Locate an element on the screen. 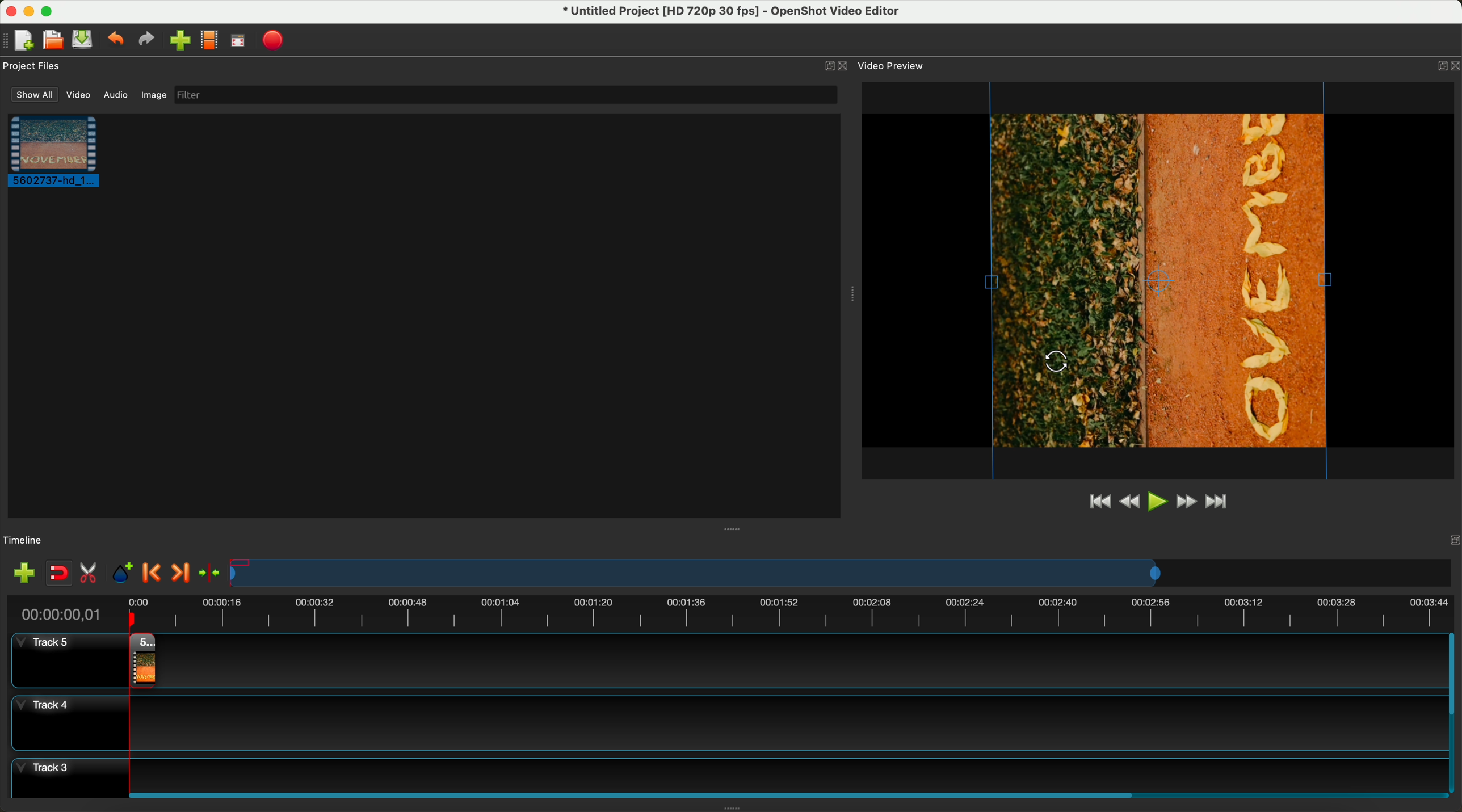 The image size is (1462, 812). filter is located at coordinates (505, 95).